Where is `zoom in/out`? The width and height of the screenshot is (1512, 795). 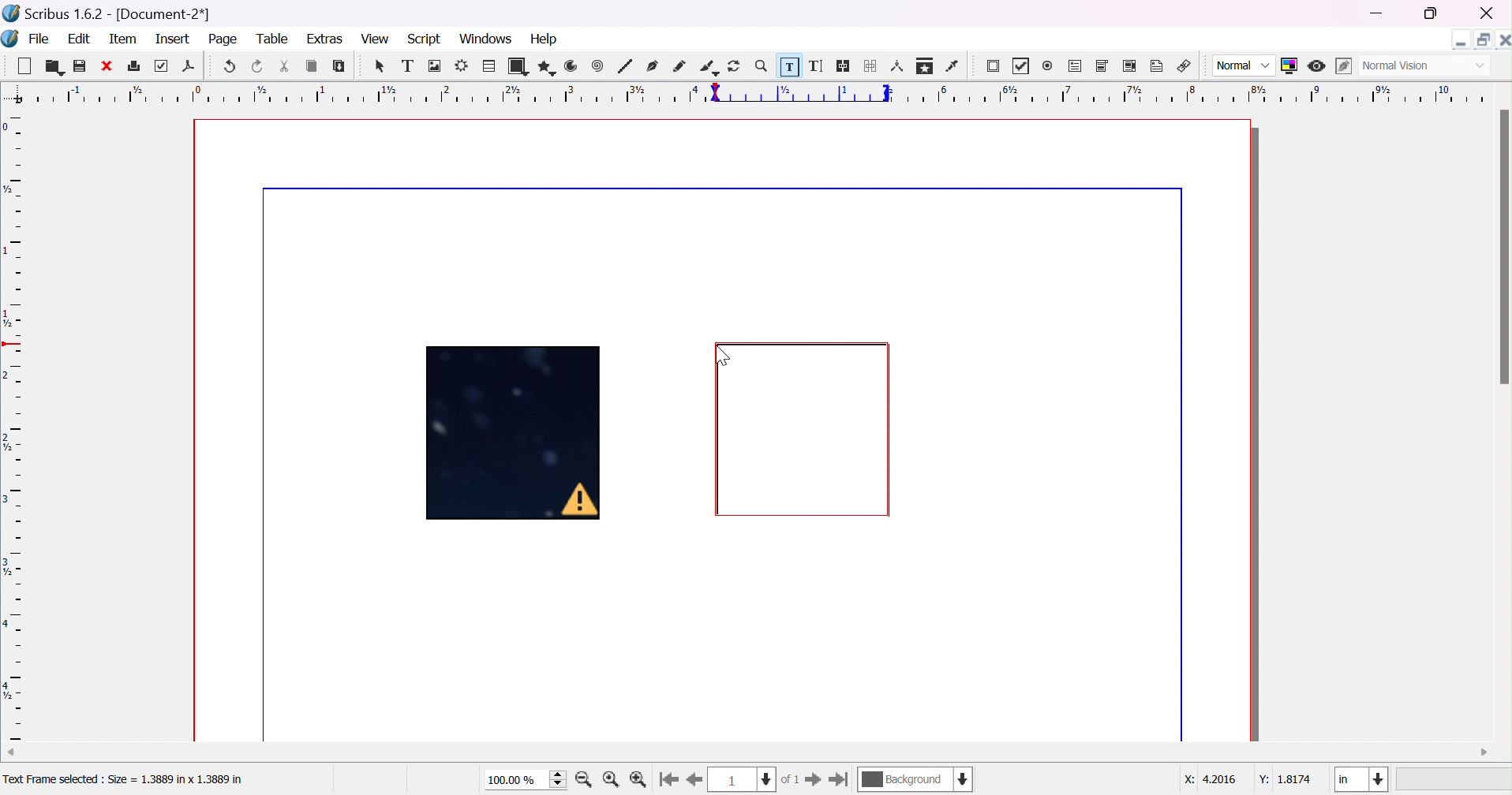
zoom in/out is located at coordinates (762, 65).